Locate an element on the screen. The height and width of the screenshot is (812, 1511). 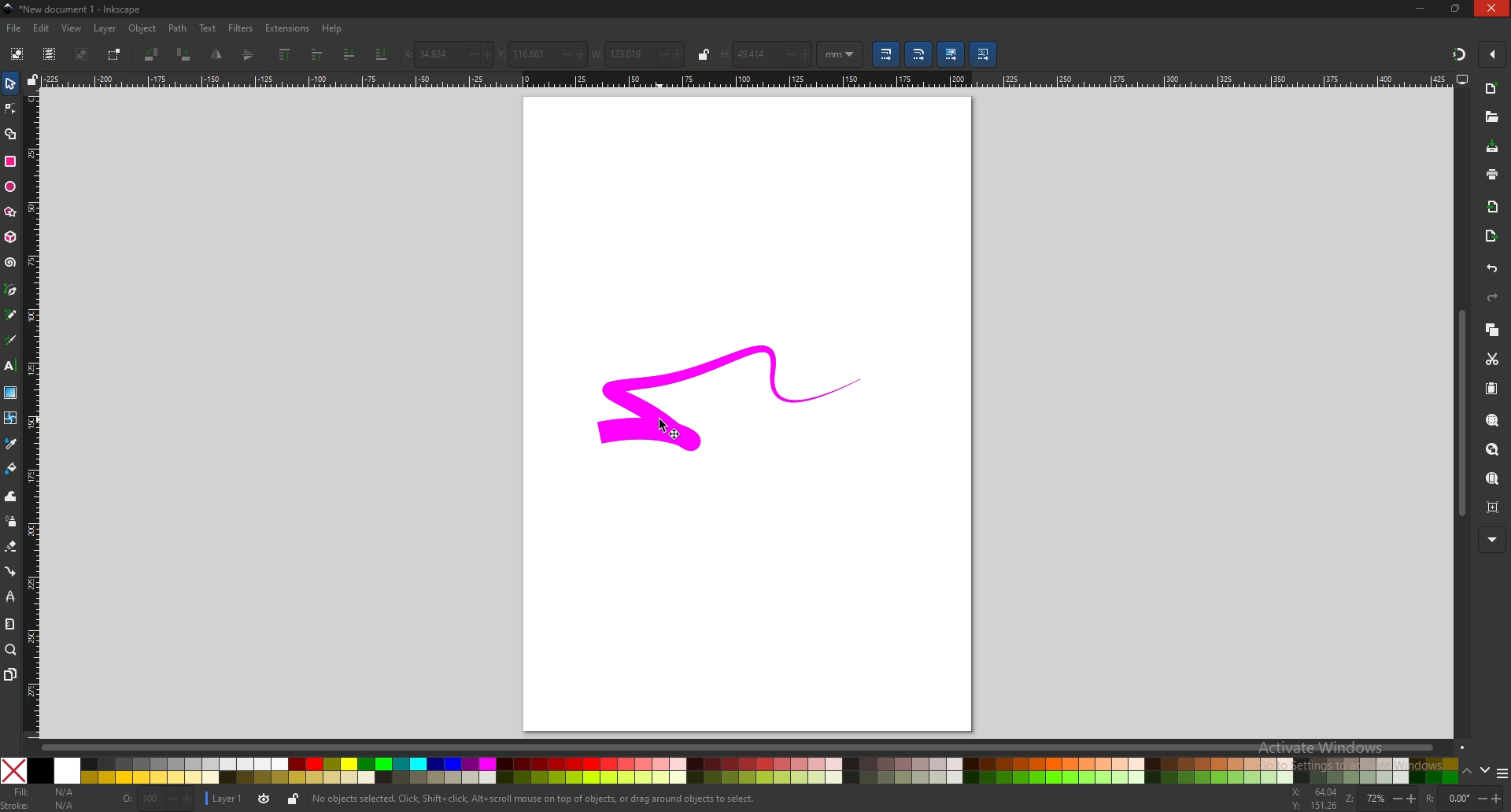
horizontal scale is located at coordinates (744, 79).